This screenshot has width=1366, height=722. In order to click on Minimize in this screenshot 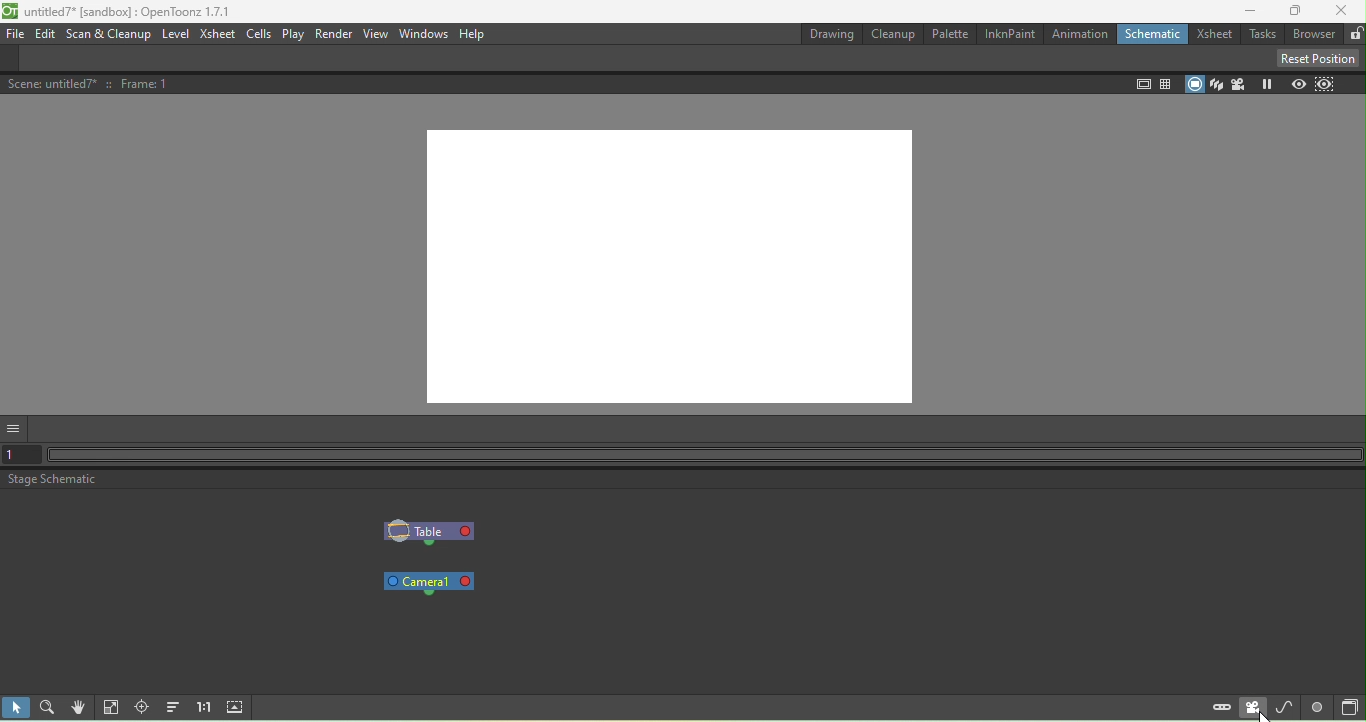, I will do `click(1244, 12)`.